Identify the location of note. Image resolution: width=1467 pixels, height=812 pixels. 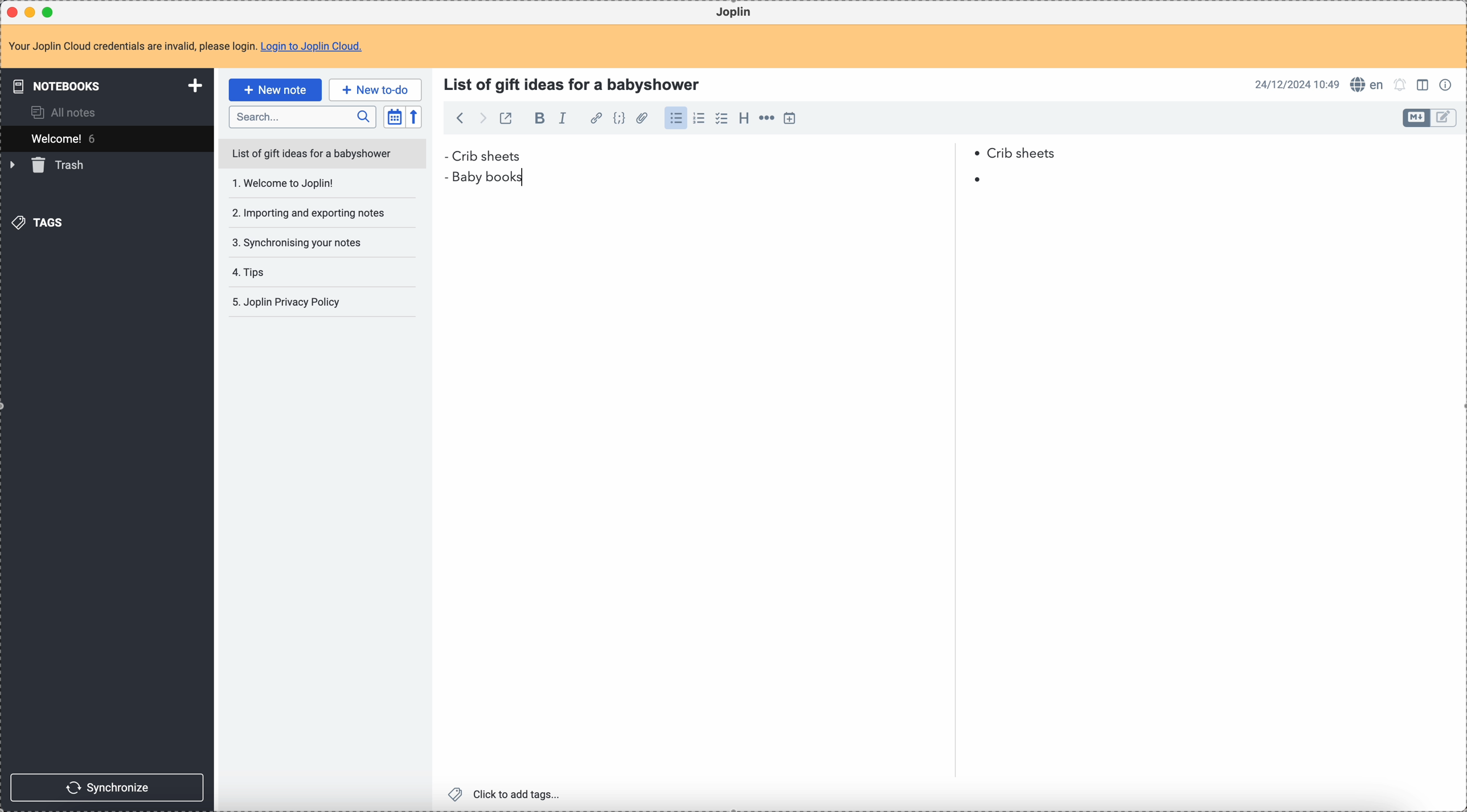
(185, 46).